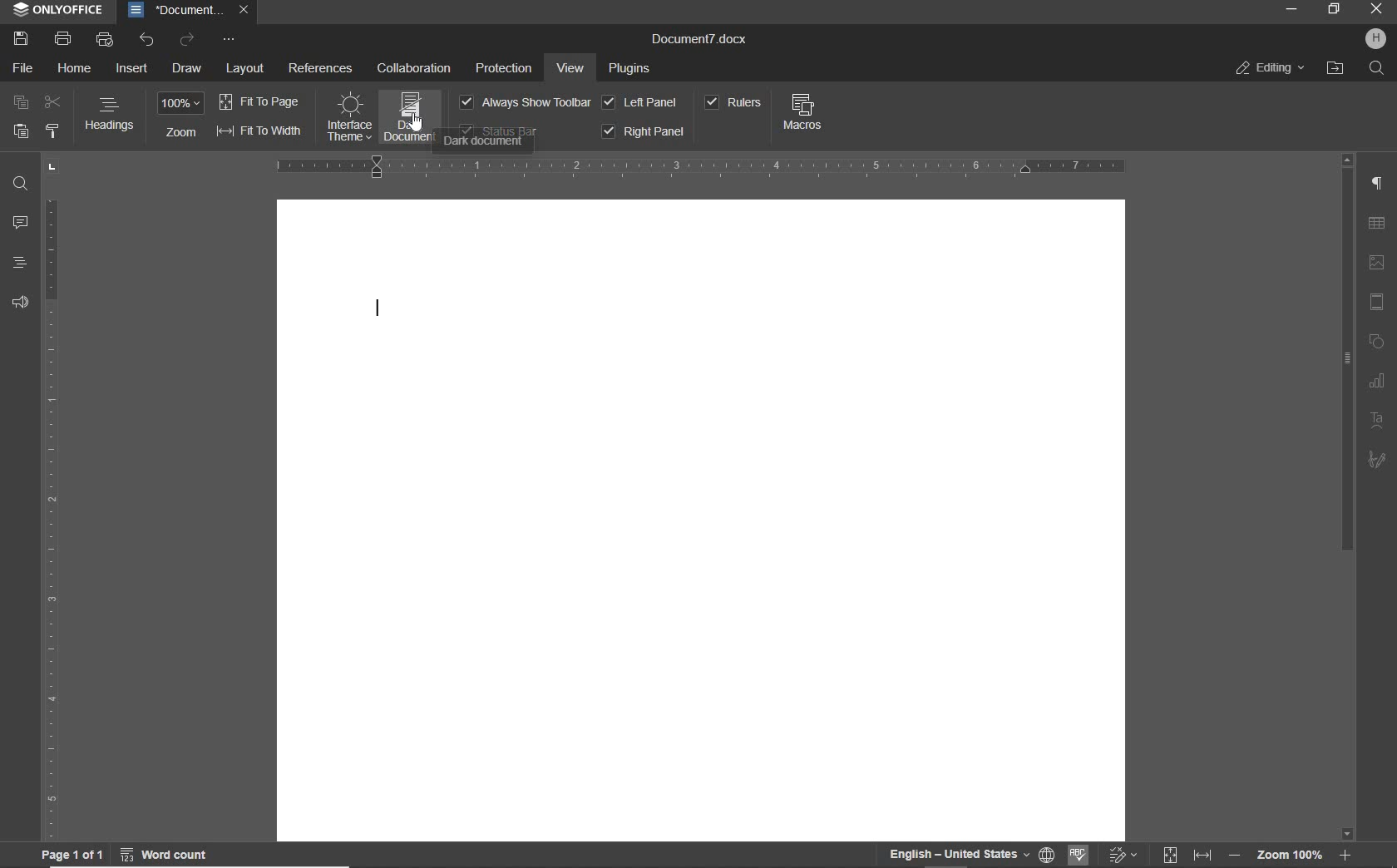 Image resolution: width=1397 pixels, height=868 pixels. I want to click on UNDO, so click(147, 41).